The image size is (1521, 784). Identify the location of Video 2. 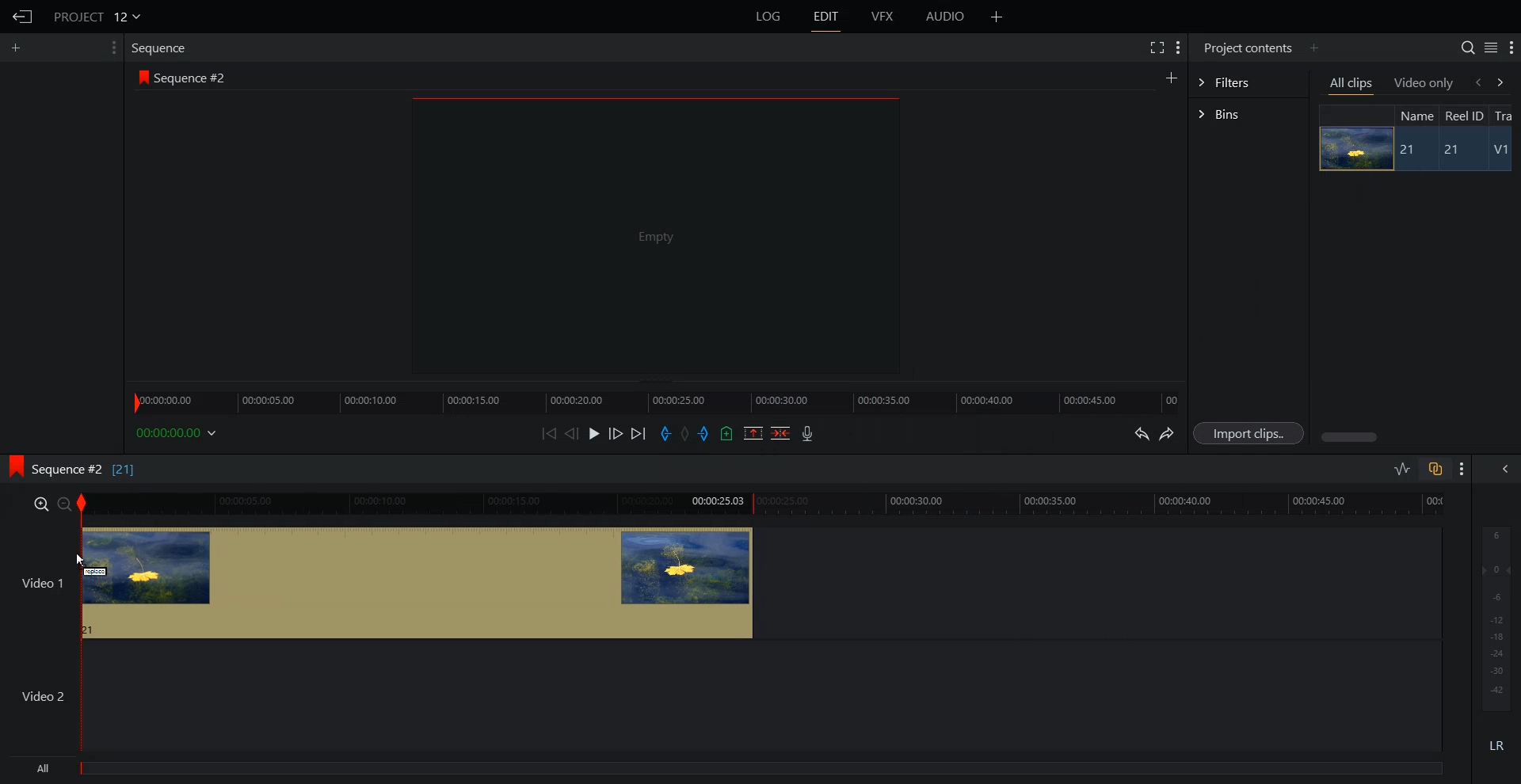
(721, 696).